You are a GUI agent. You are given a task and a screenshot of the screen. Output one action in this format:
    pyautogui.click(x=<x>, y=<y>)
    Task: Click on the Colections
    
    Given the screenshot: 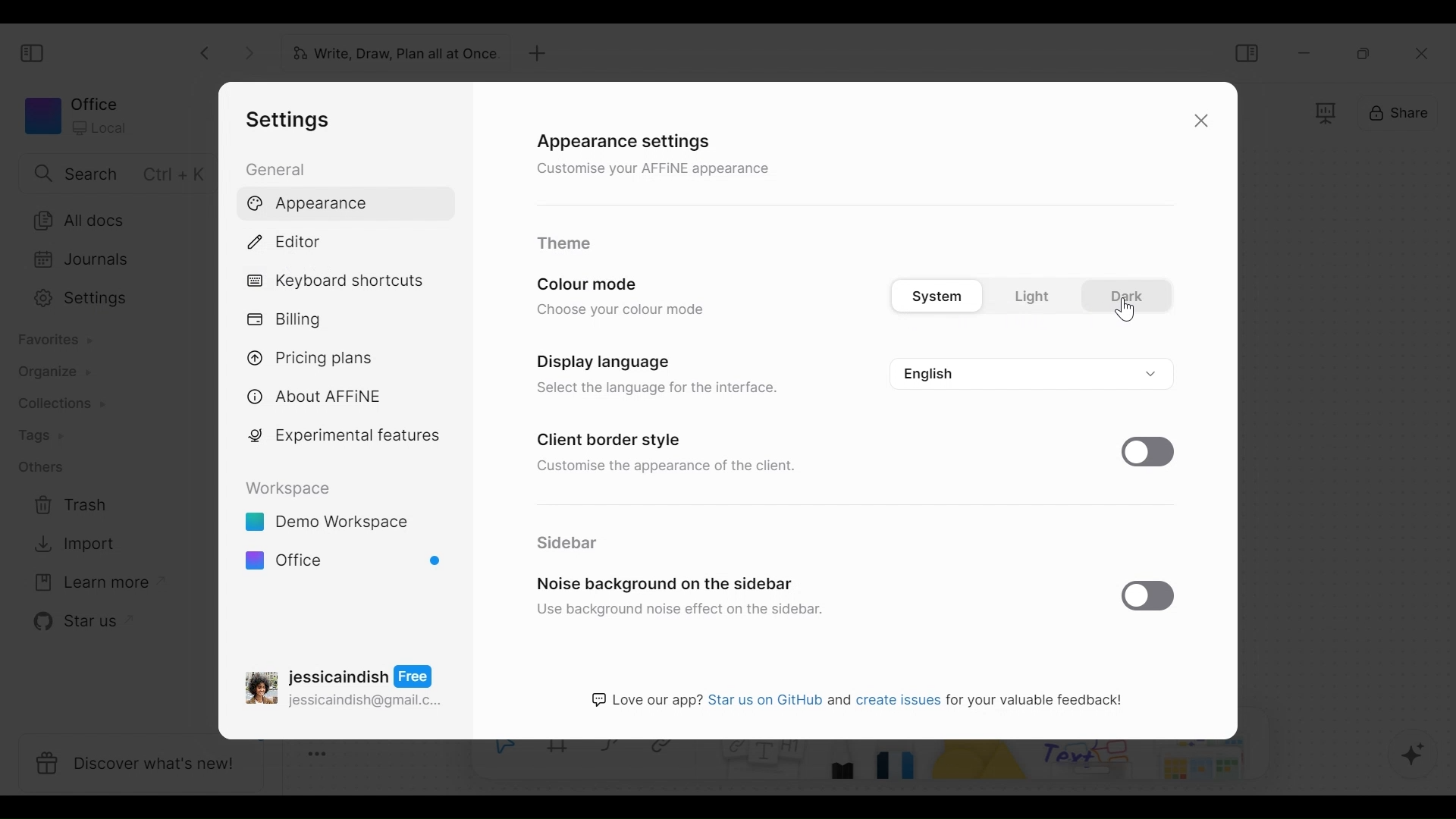 What is the action you would take?
    pyautogui.click(x=65, y=404)
    